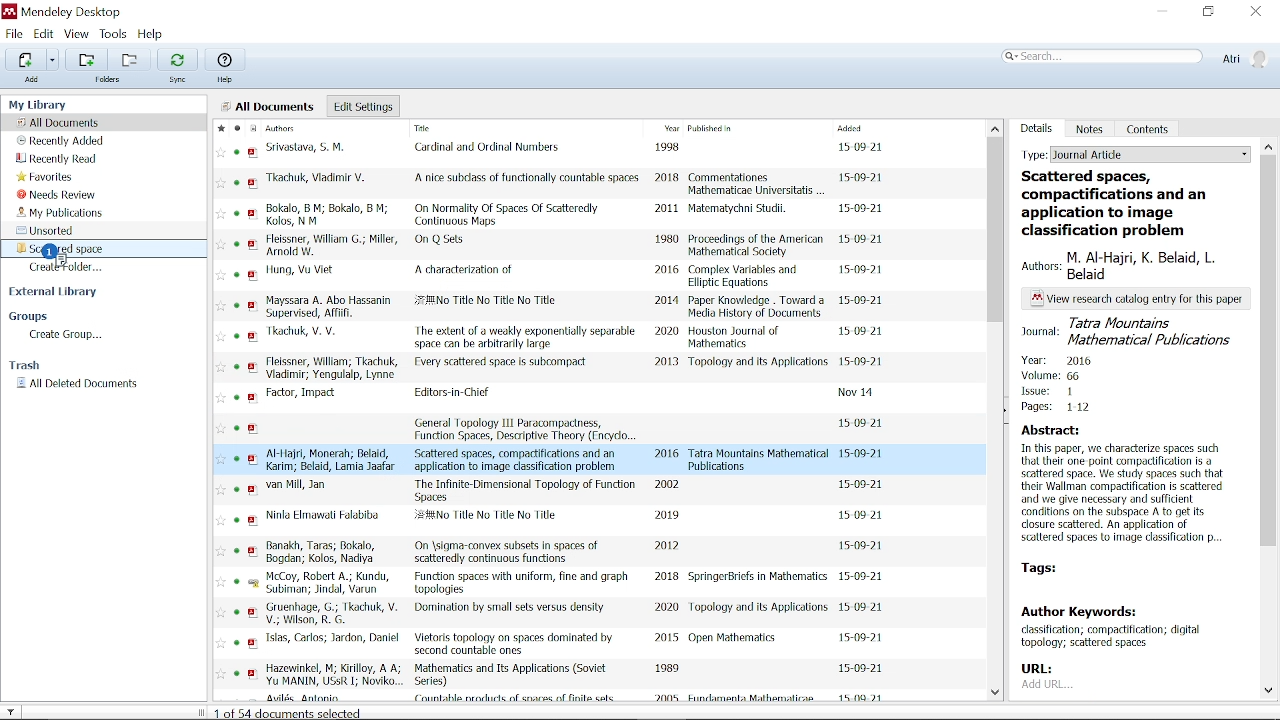  Describe the element at coordinates (1129, 203) in the screenshot. I see `title` at that location.